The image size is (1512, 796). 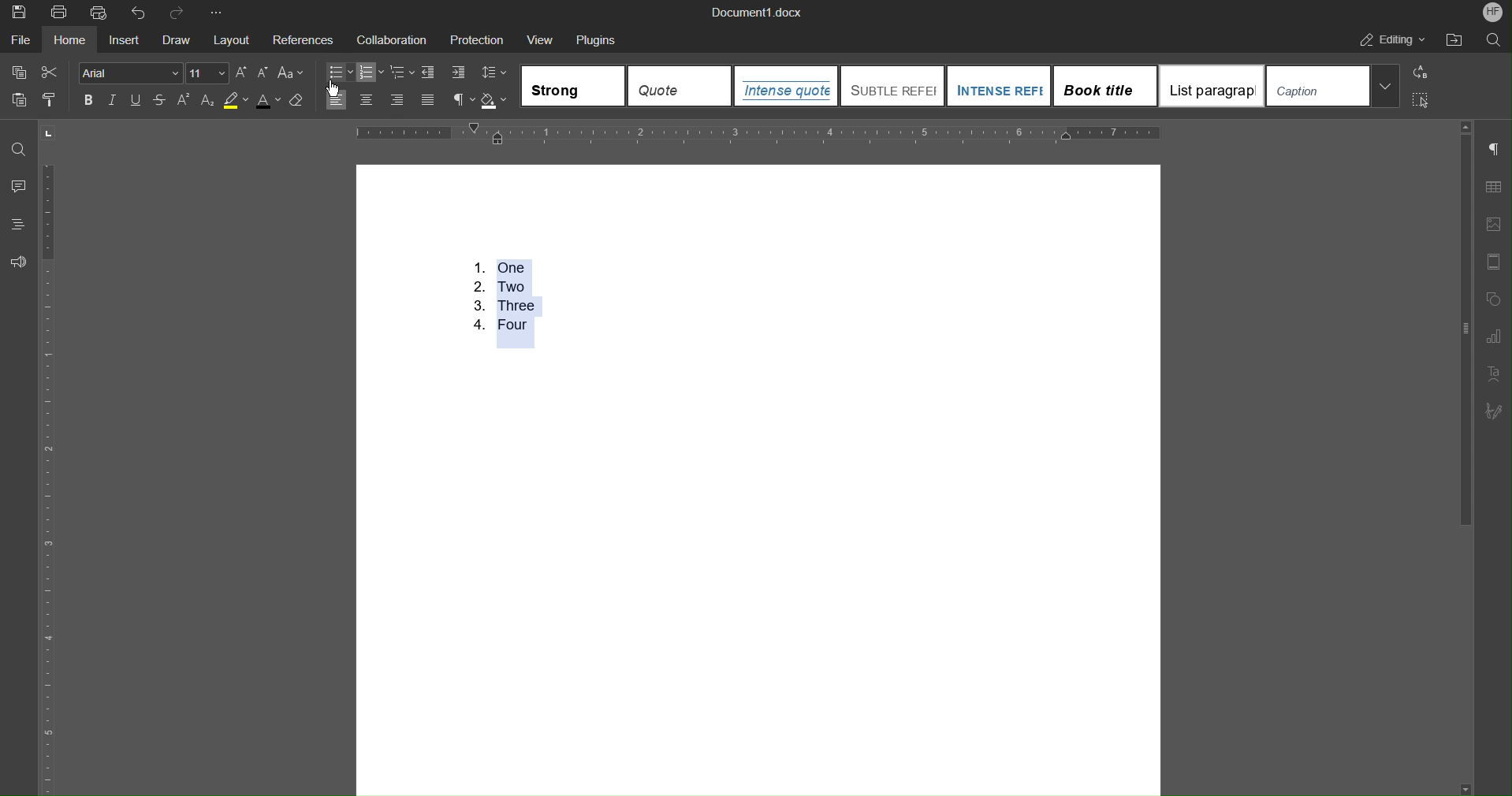 I want to click on Increase Indent, so click(x=456, y=73).